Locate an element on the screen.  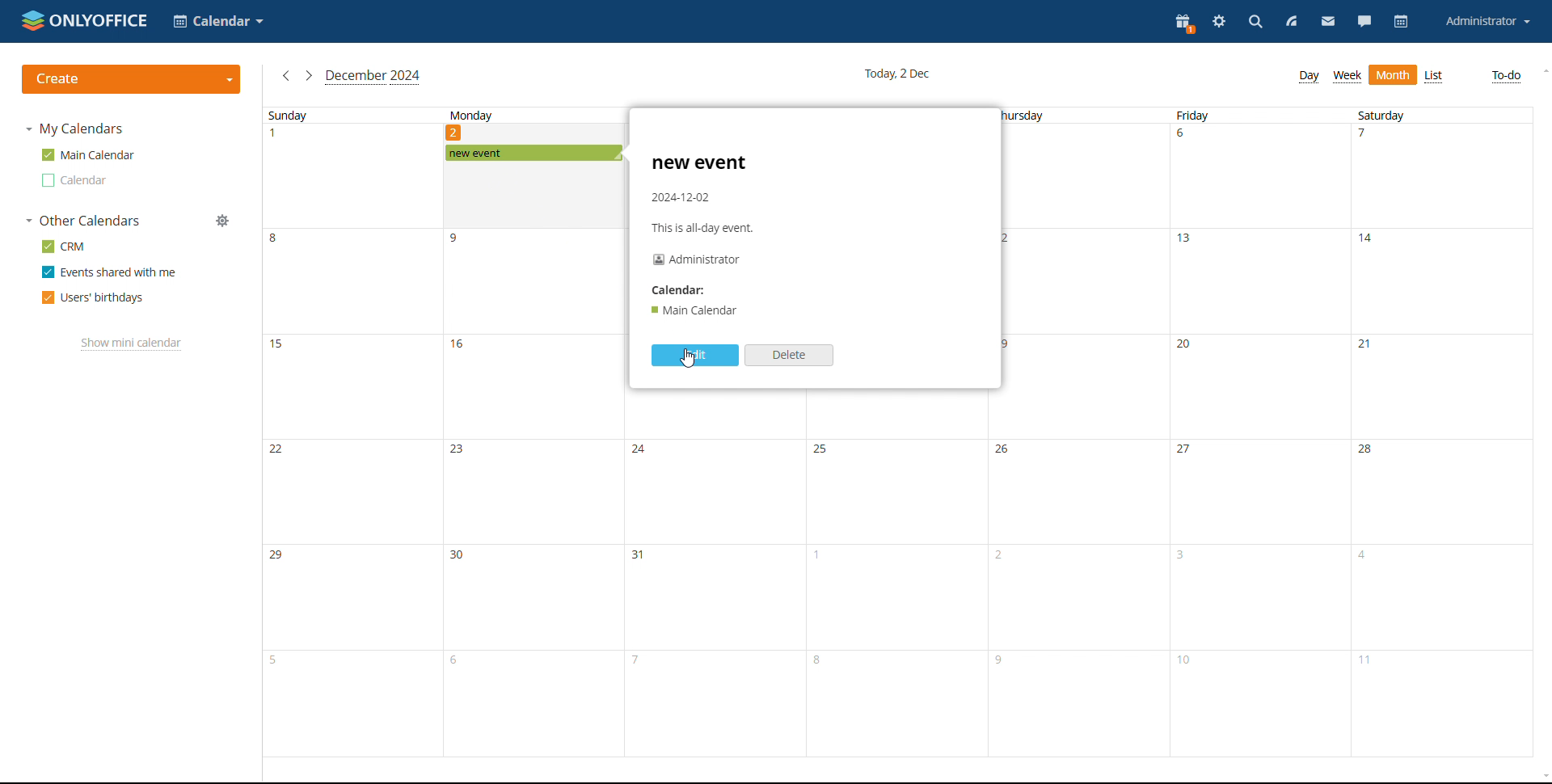
thursday is located at coordinates (1082, 431).